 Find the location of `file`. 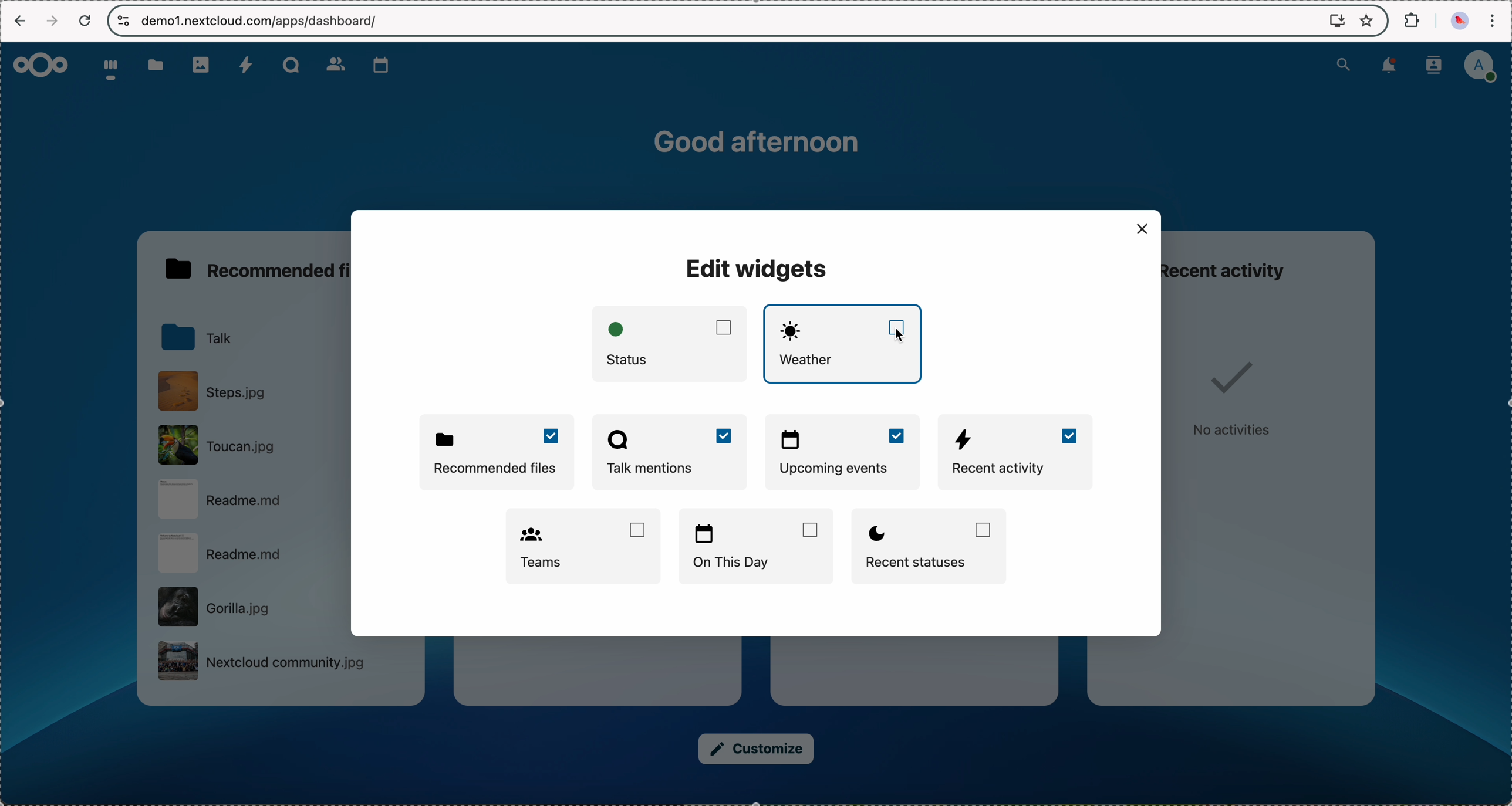

file is located at coordinates (248, 444).